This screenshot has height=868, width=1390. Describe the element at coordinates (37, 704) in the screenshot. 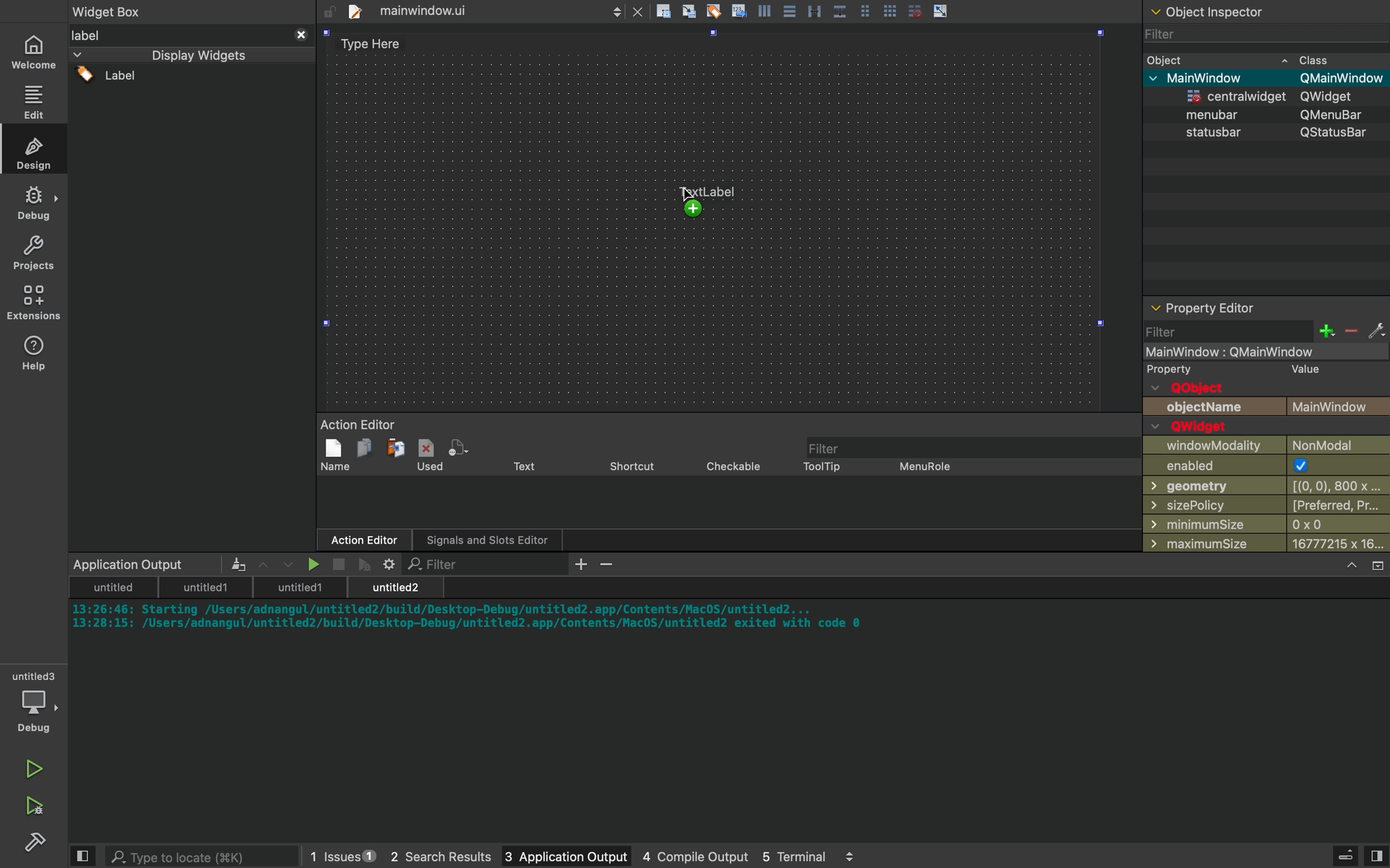

I see `debug` at that location.